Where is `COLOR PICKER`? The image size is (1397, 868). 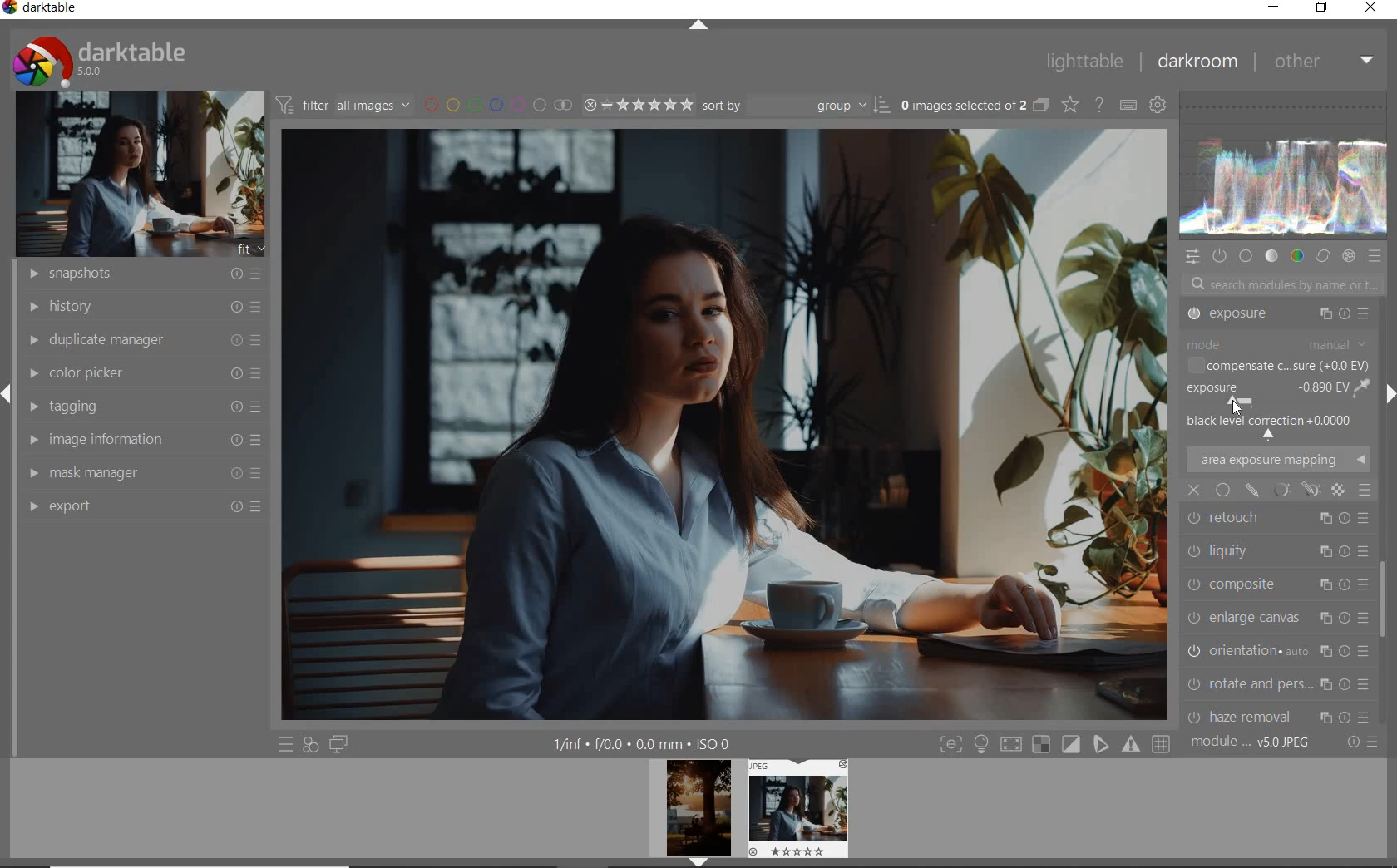 COLOR PICKER is located at coordinates (146, 370).